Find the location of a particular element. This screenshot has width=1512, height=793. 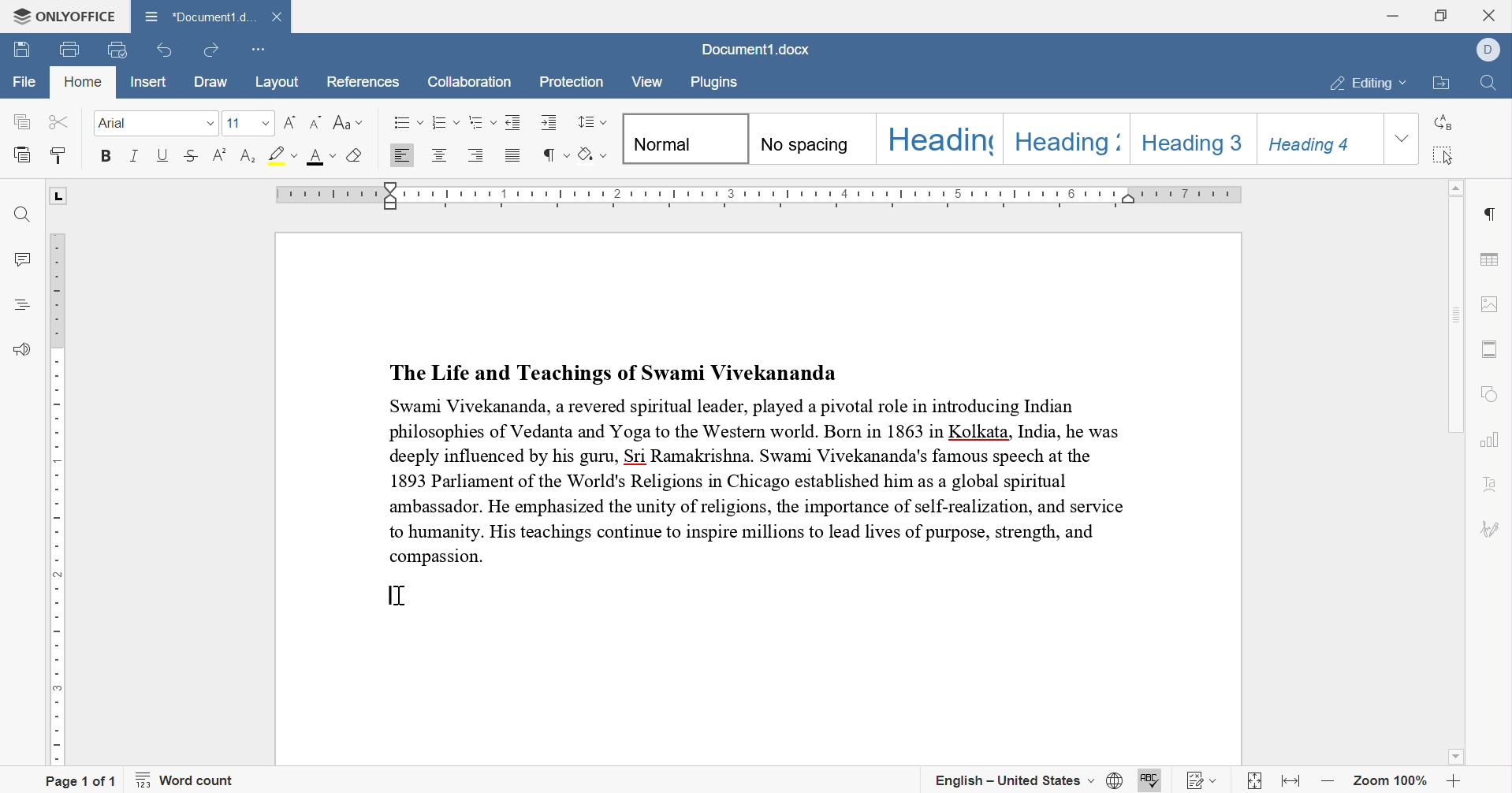

find is located at coordinates (1492, 86).